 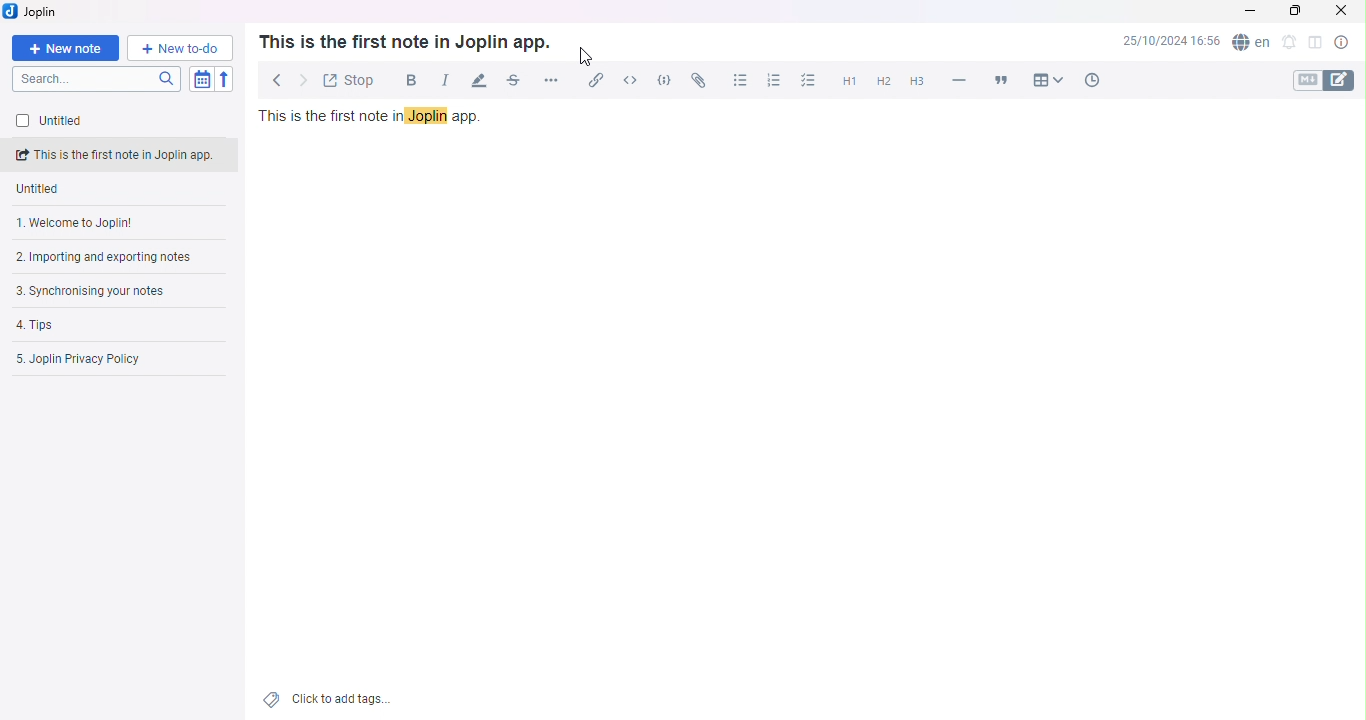 What do you see at coordinates (125, 187) in the screenshot?
I see `note` at bounding box center [125, 187].